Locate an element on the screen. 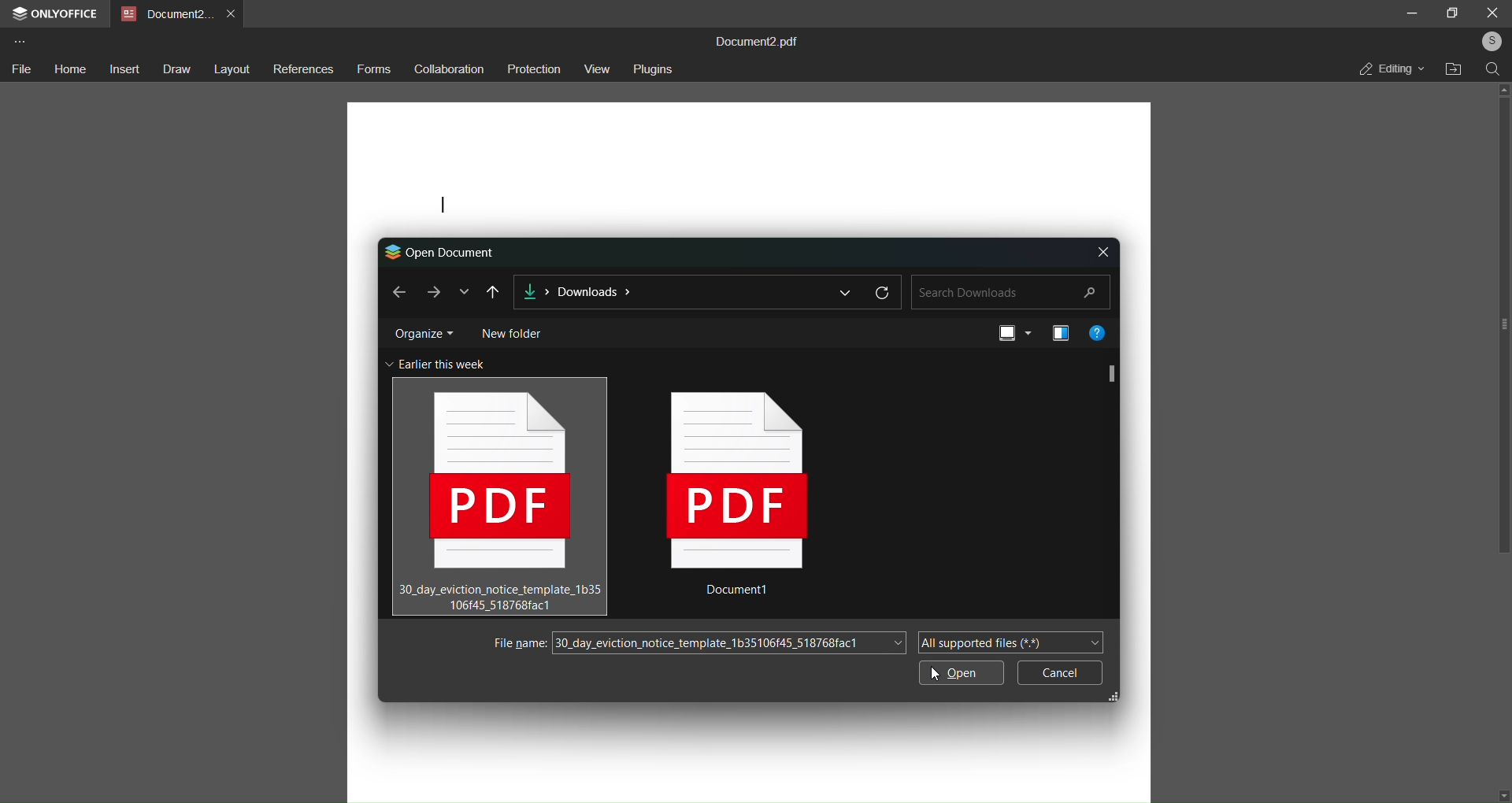 The width and height of the screenshot is (1512, 803). file is located at coordinates (20, 69).